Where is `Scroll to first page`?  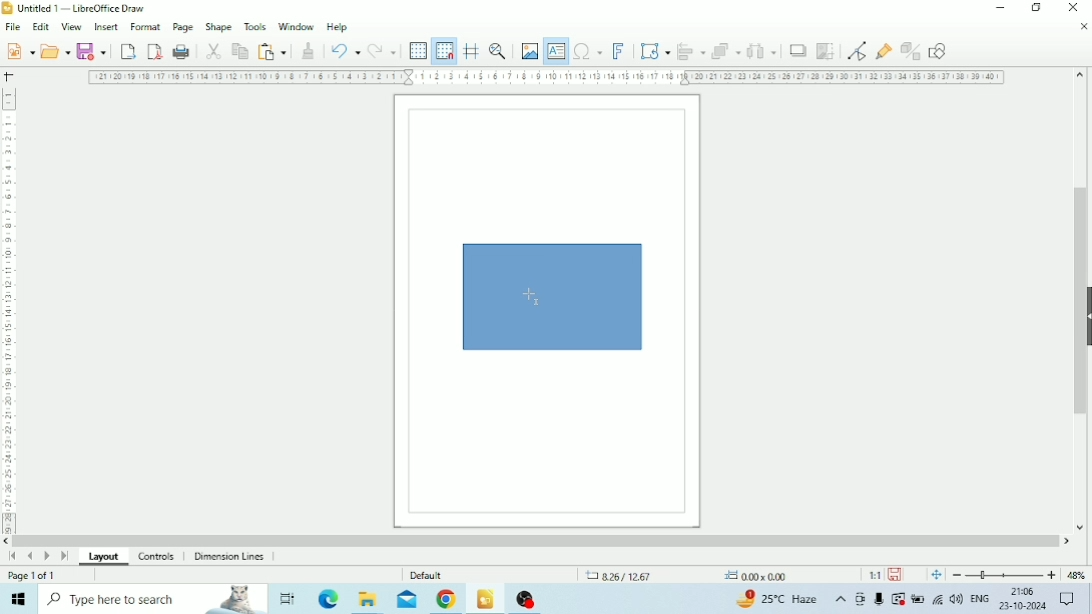 Scroll to first page is located at coordinates (12, 556).